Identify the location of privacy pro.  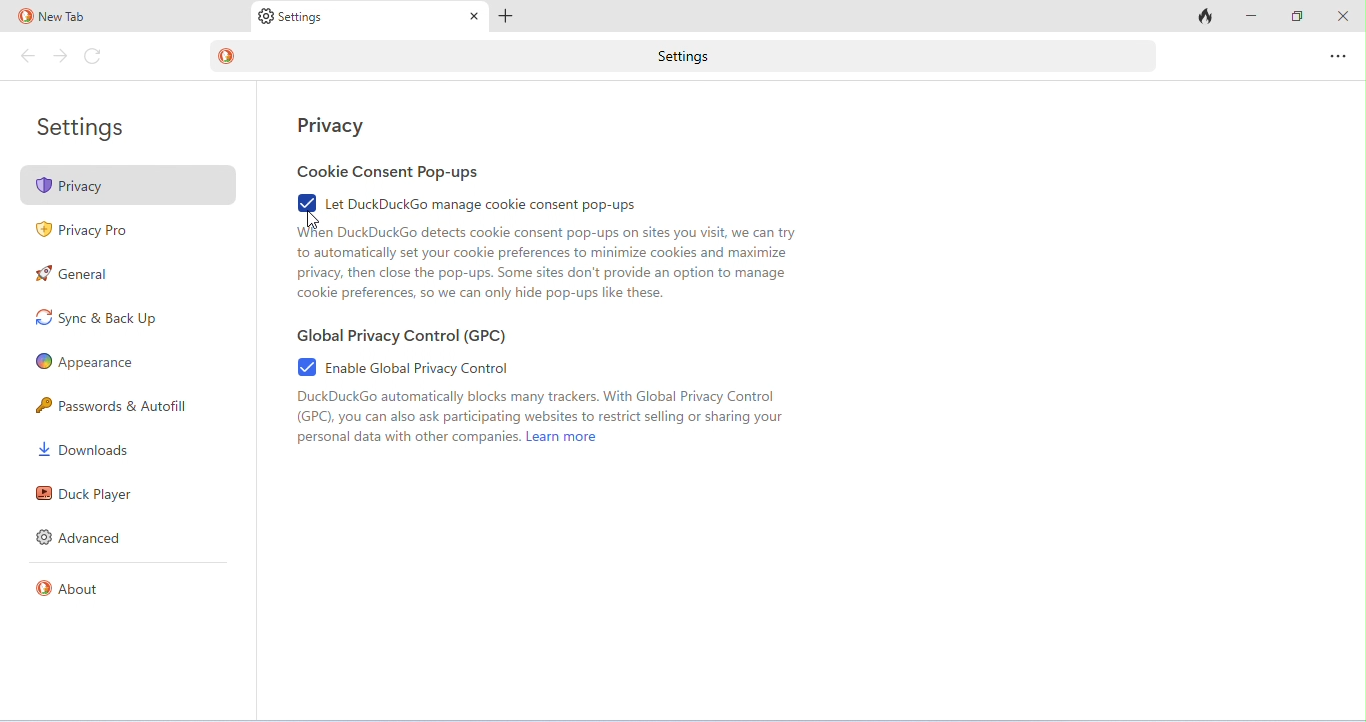
(85, 233).